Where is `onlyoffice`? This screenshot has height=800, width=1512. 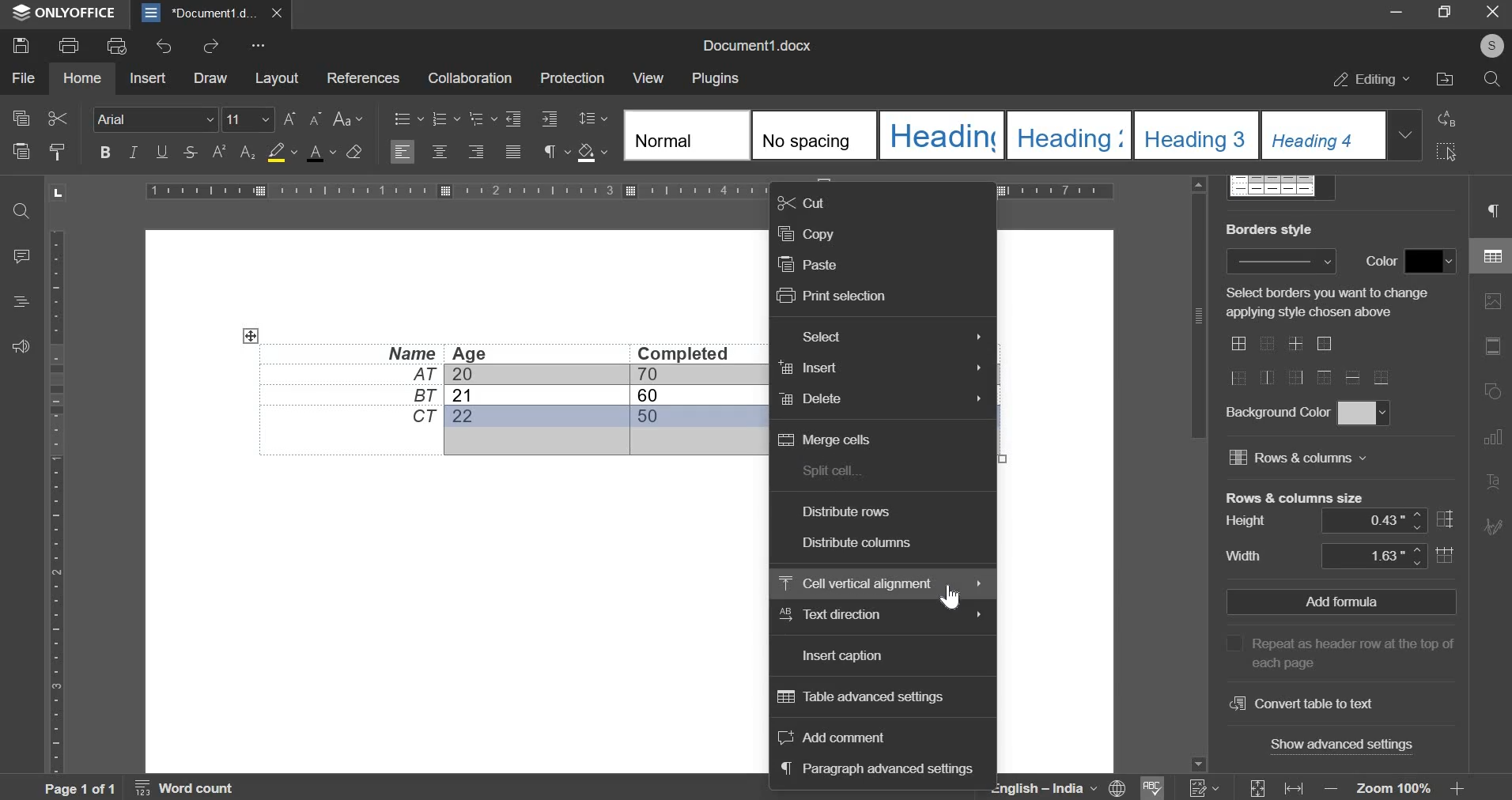 onlyoffice is located at coordinates (75, 12).